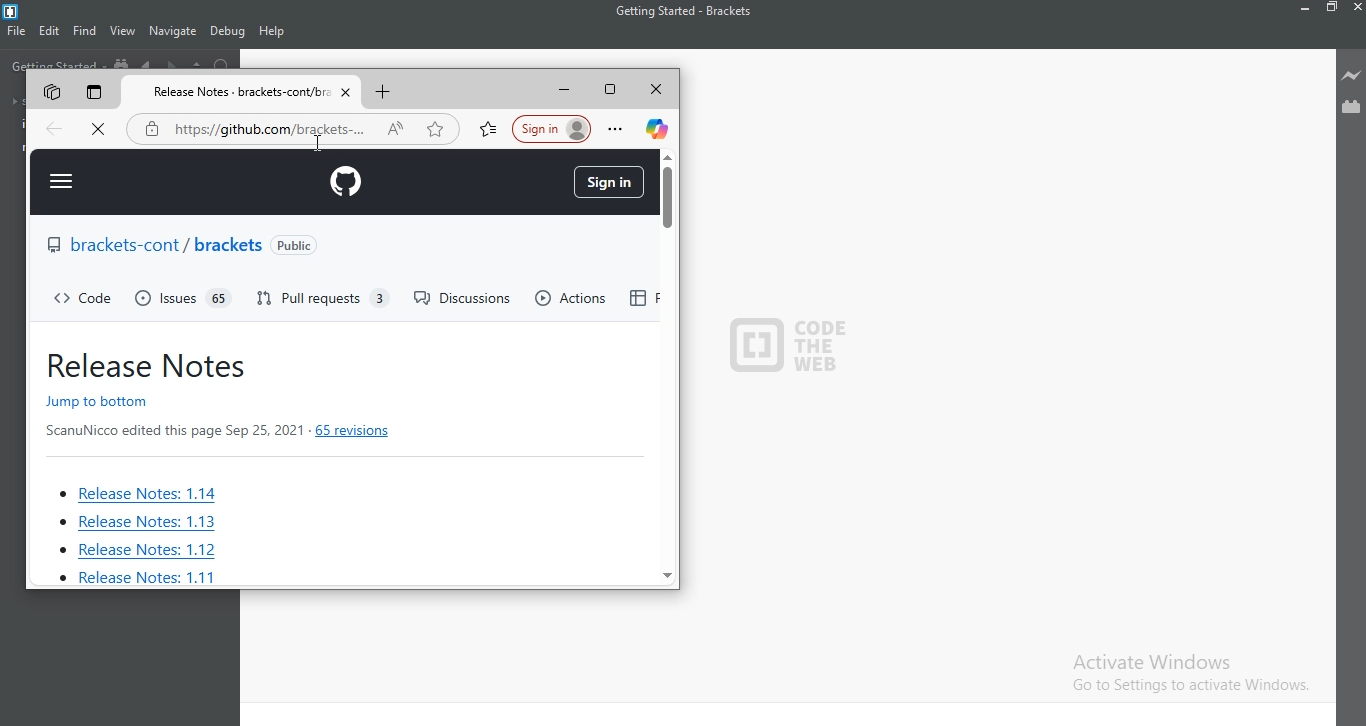  Describe the element at coordinates (86, 30) in the screenshot. I see `Find` at that location.